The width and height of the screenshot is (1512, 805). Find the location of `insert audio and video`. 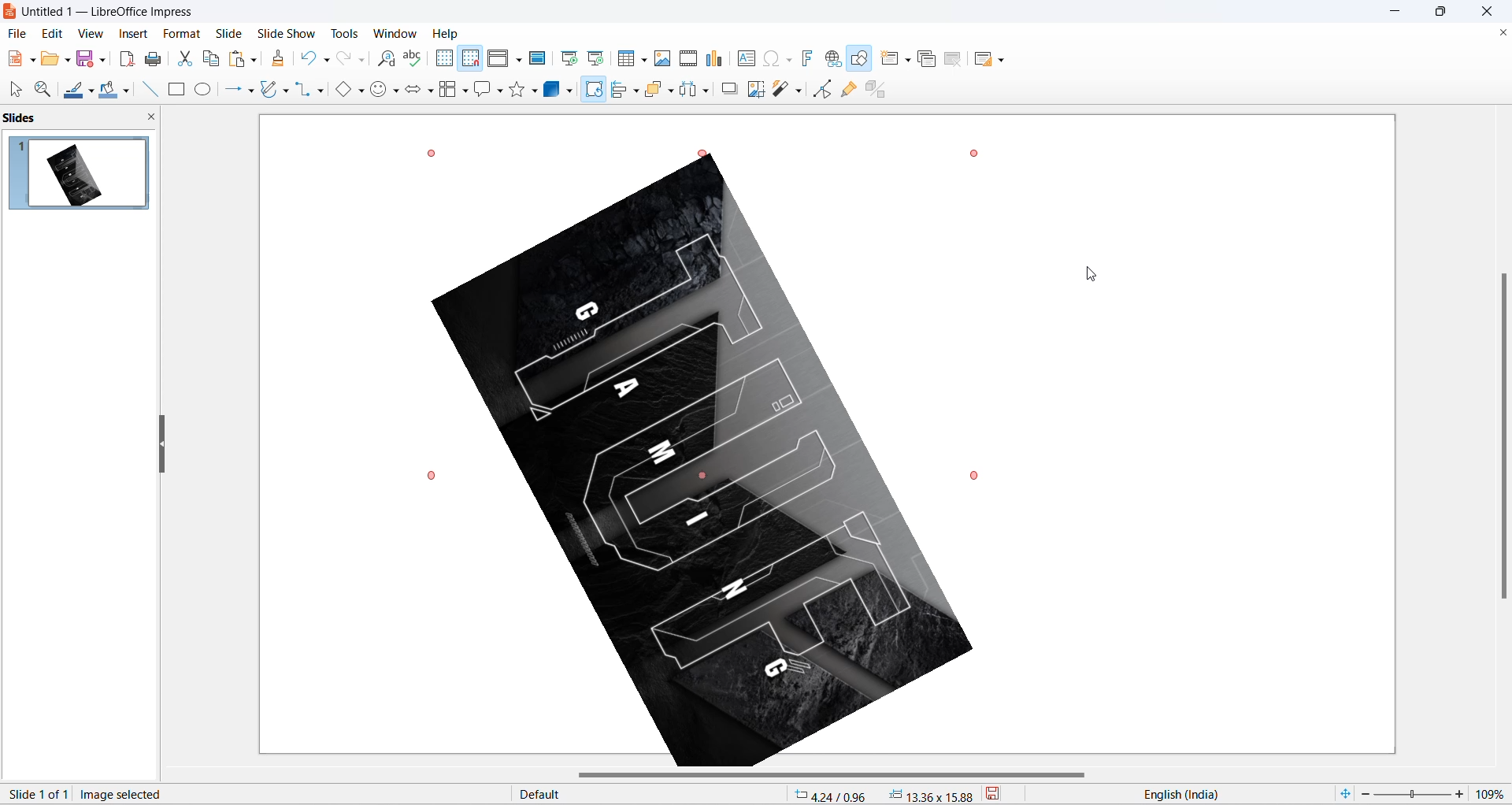

insert audio and video is located at coordinates (687, 58).